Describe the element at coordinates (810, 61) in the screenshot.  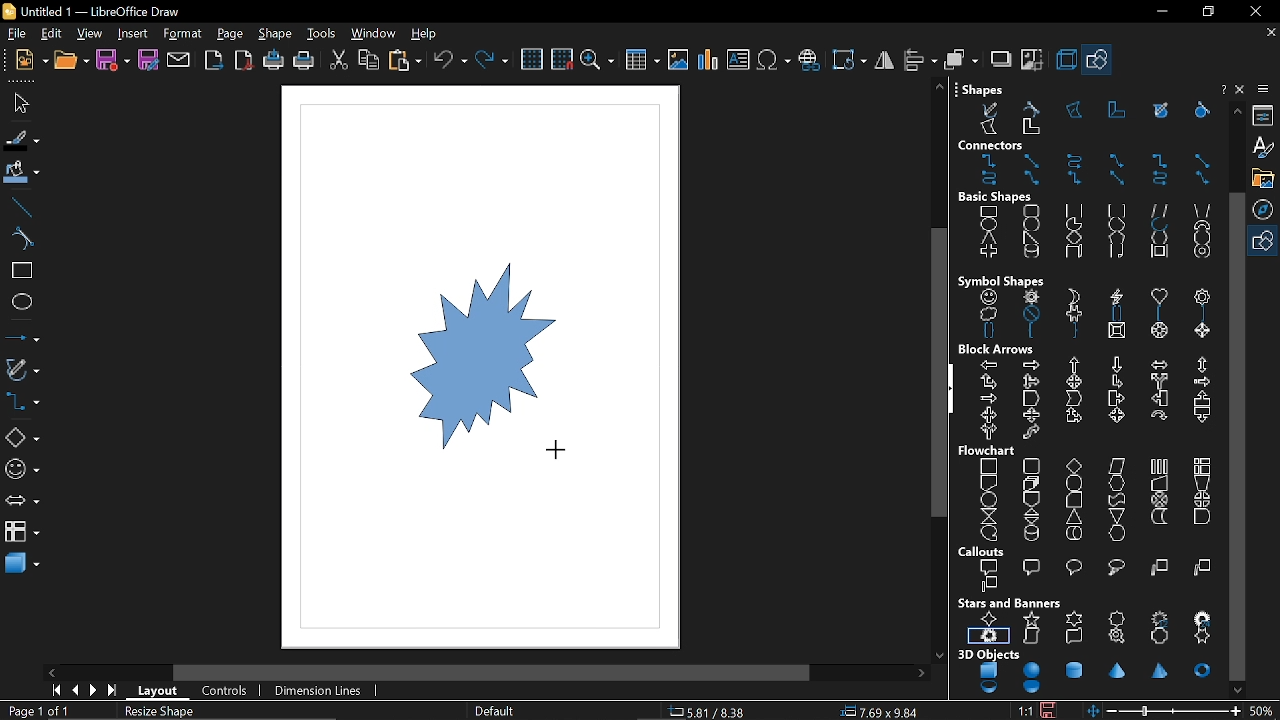
I see `Insert hyperlink` at that location.